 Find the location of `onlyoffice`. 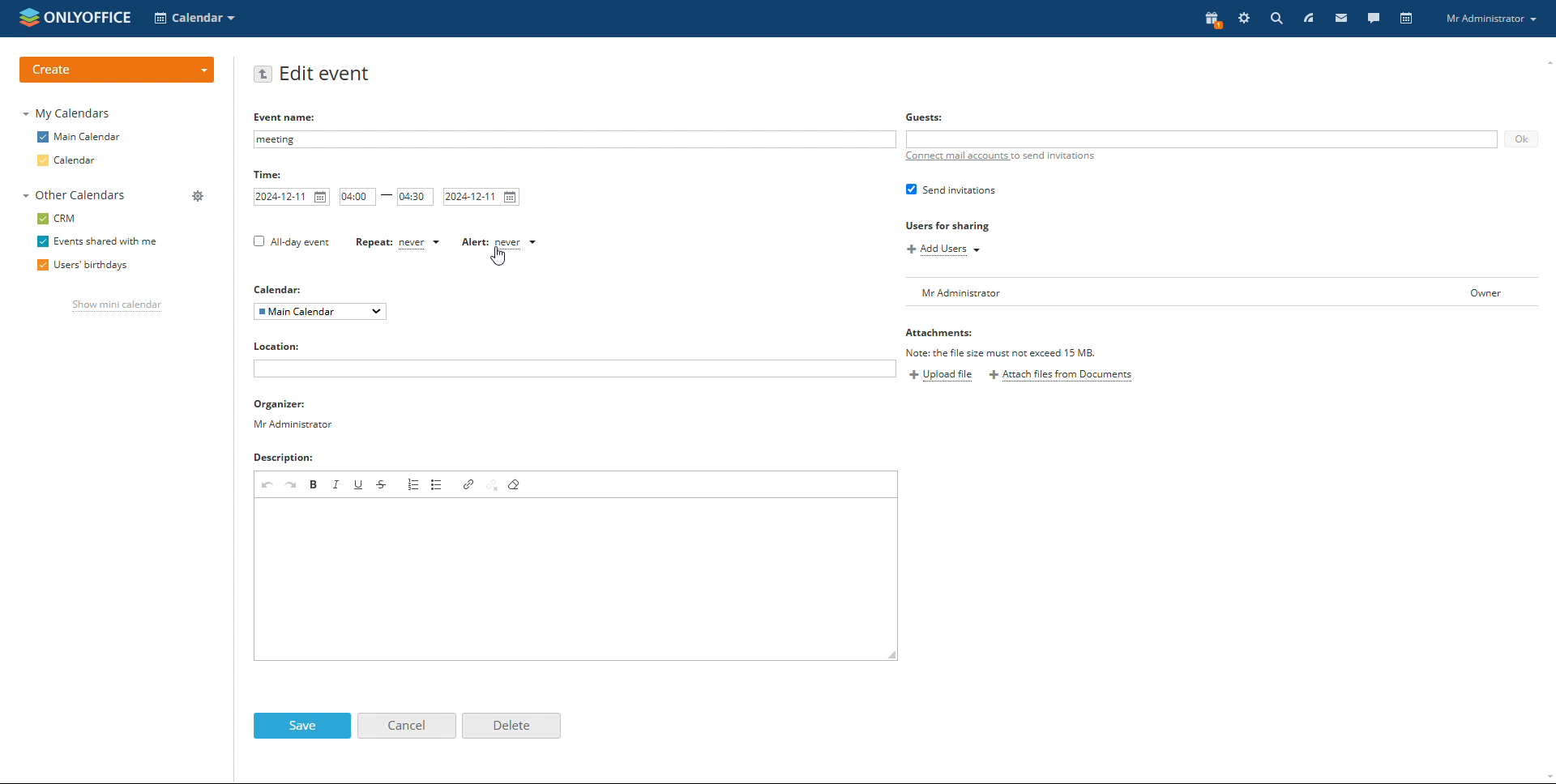

onlyoffice is located at coordinates (85, 16).